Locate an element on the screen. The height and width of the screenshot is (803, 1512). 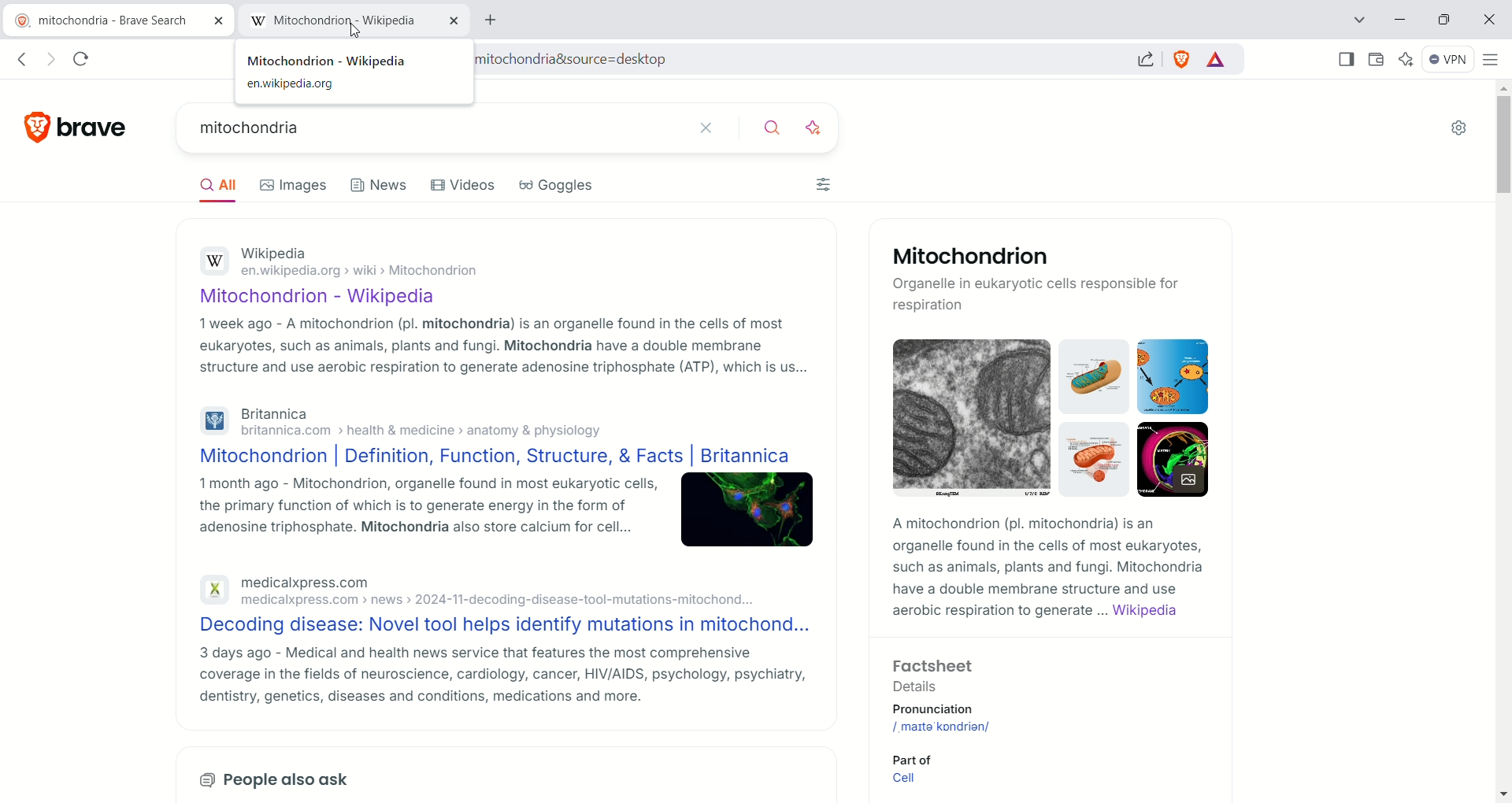
rewards is located at coordinates (1217, 58).